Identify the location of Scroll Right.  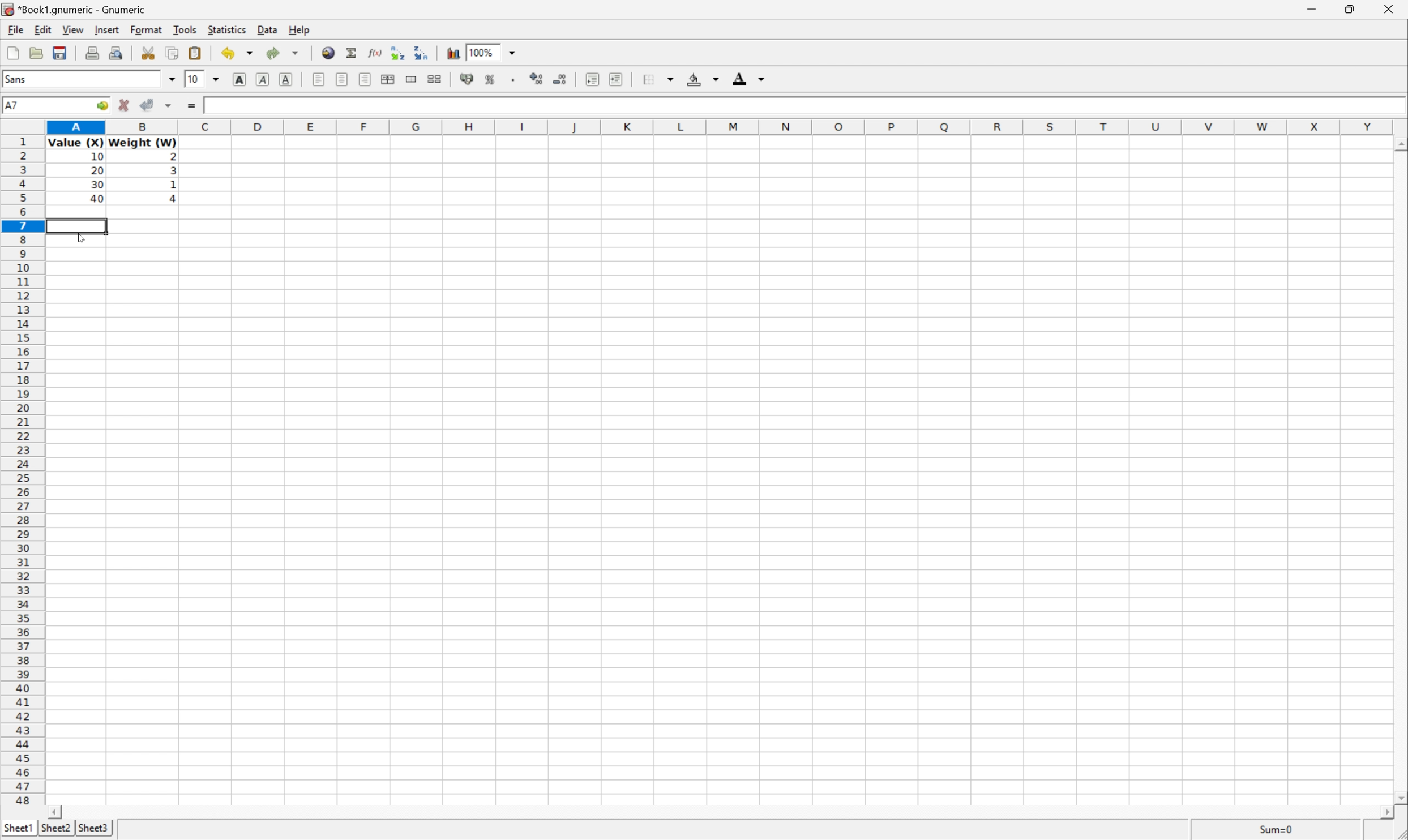
(1383, 812).